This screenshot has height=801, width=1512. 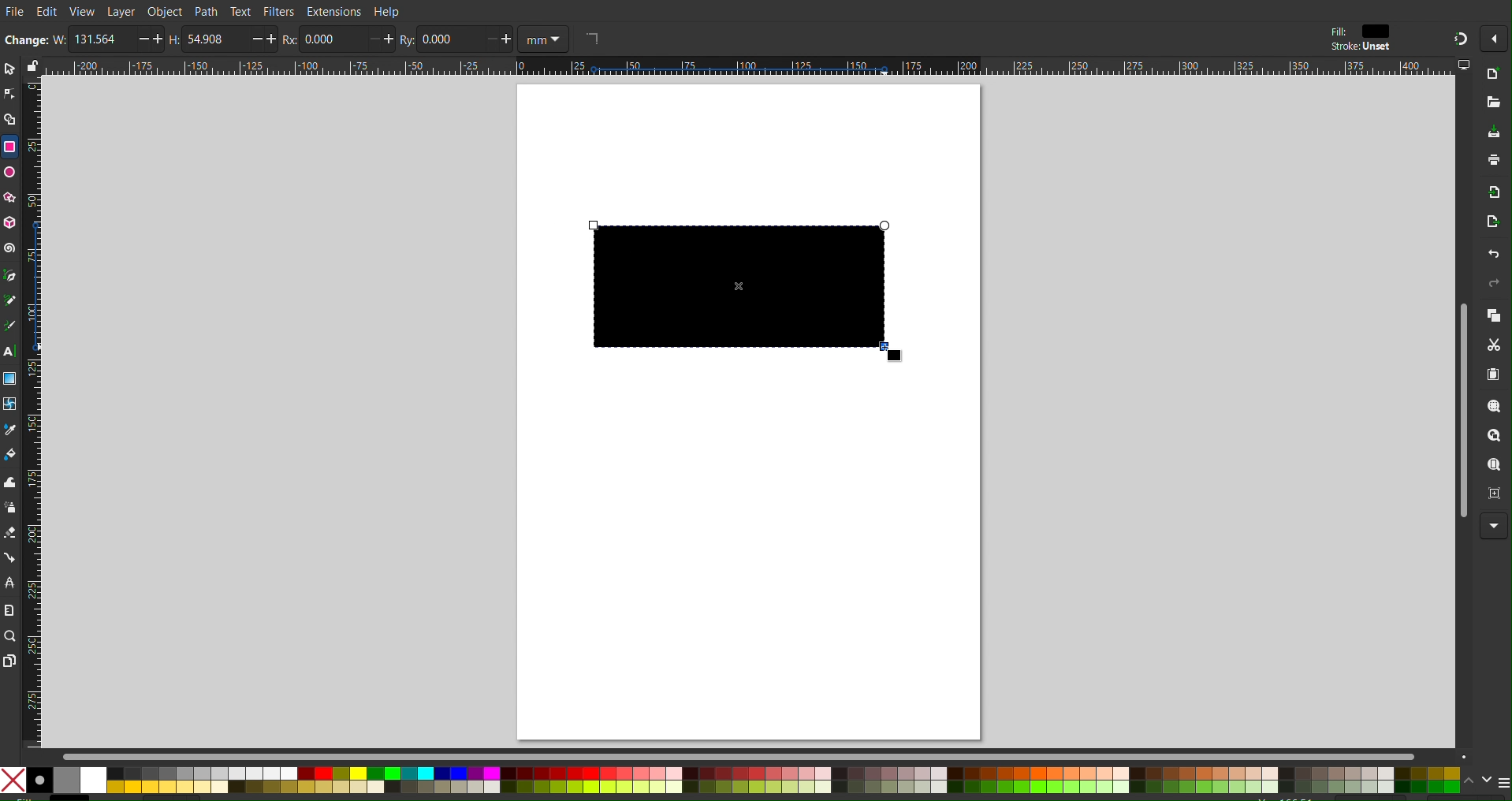 I want to click on Color Options, so click(x=732, y=781).